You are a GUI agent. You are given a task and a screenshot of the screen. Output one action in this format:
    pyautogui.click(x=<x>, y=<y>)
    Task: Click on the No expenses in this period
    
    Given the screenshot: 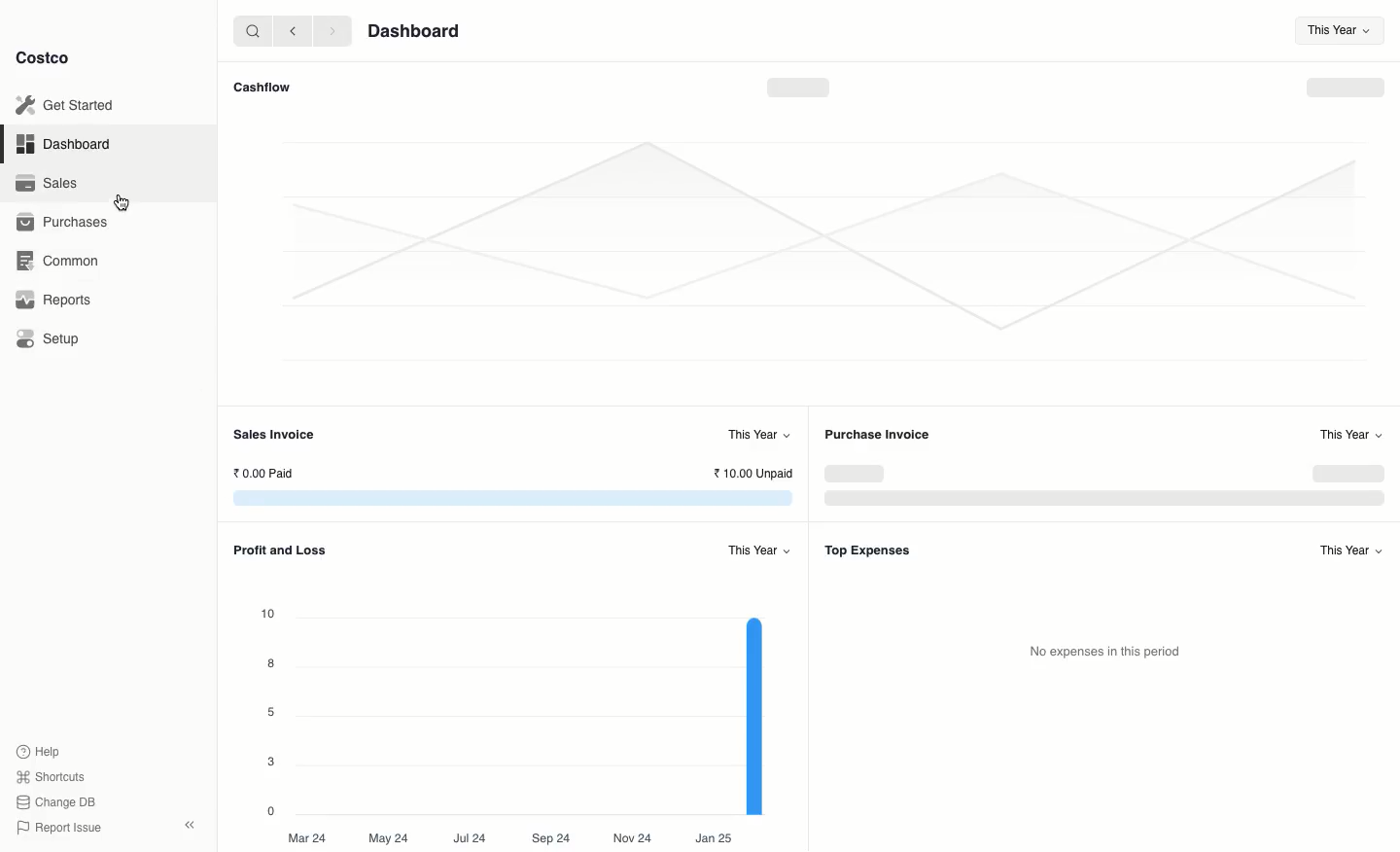 What is the action you would take?
    pyautogui.click(x=1107, y=650)
    